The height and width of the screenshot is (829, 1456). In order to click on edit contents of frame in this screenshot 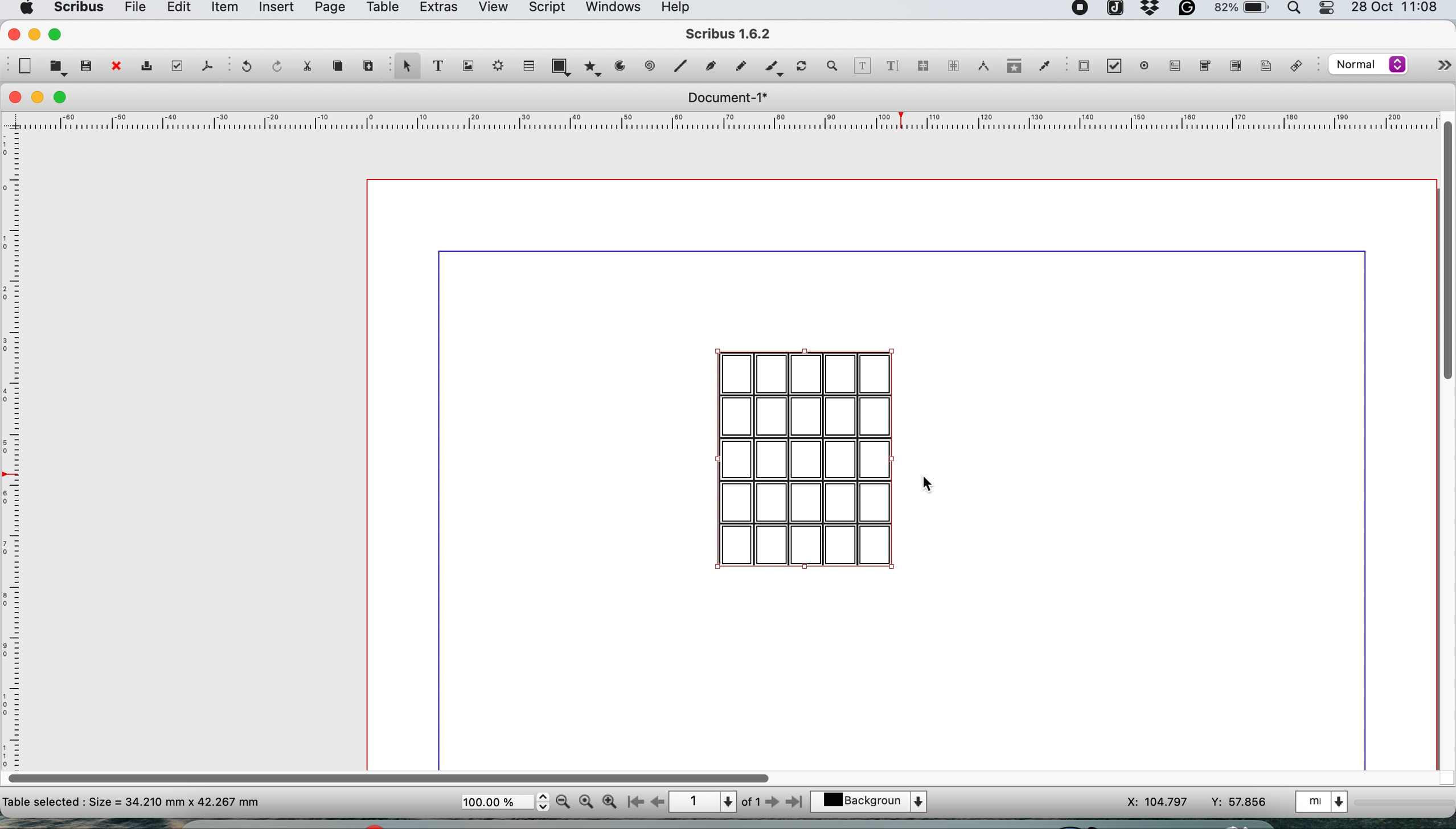, I will do `click(862, 65)`.